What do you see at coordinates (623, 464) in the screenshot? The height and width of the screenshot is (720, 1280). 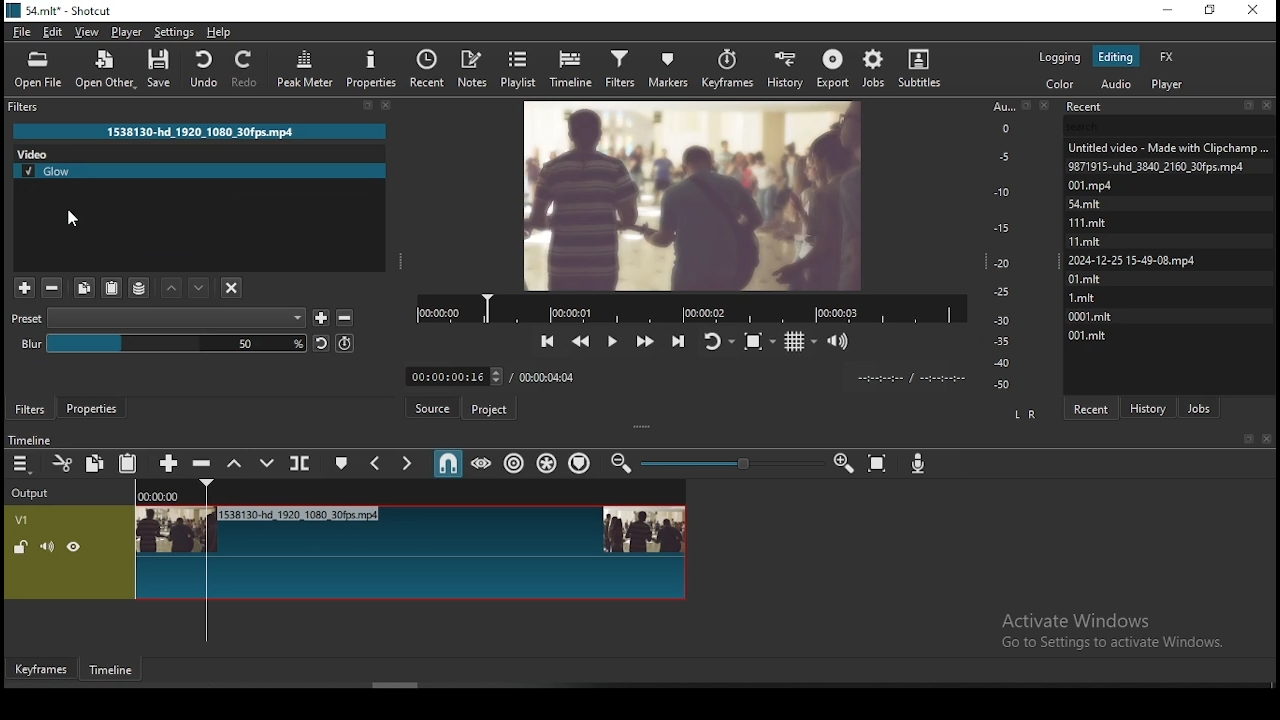 I see `zoom timeline in` at bounding box center [623, 464].